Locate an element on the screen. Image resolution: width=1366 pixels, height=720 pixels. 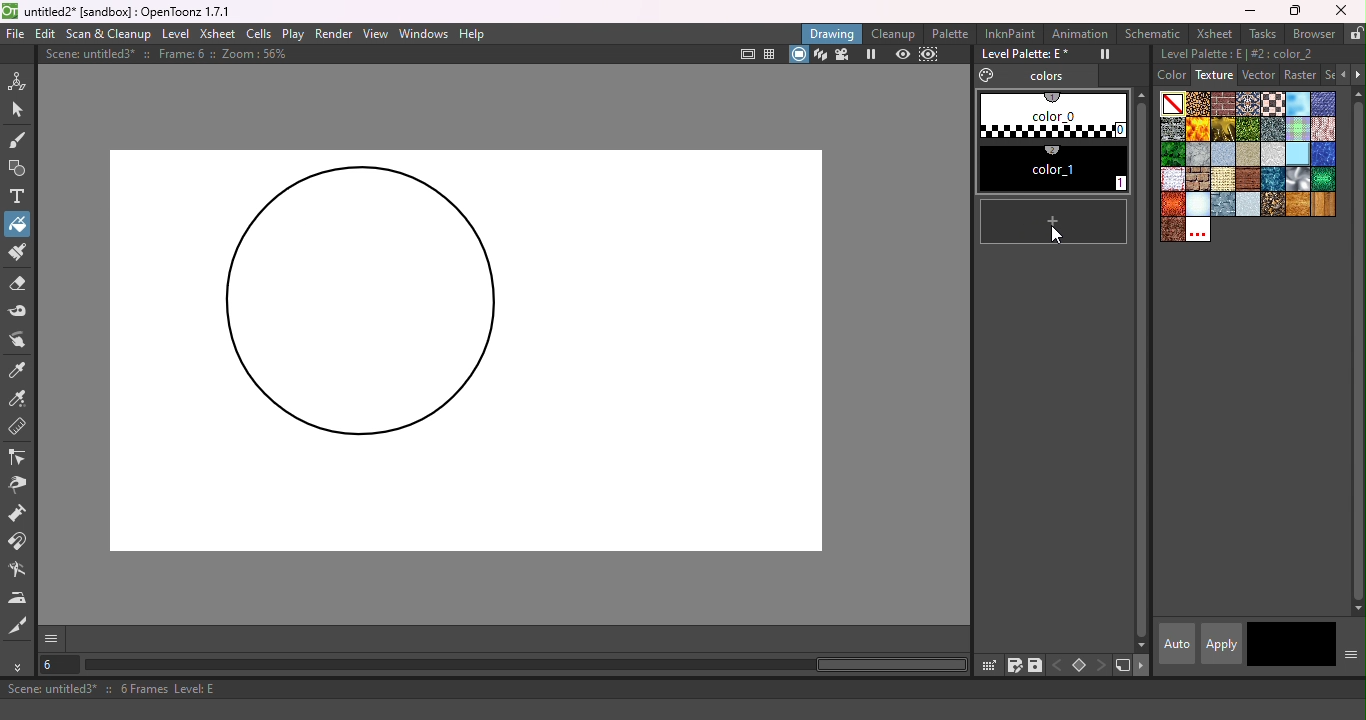
click & drag palette into studio palette is located at coordinates (988, 665).